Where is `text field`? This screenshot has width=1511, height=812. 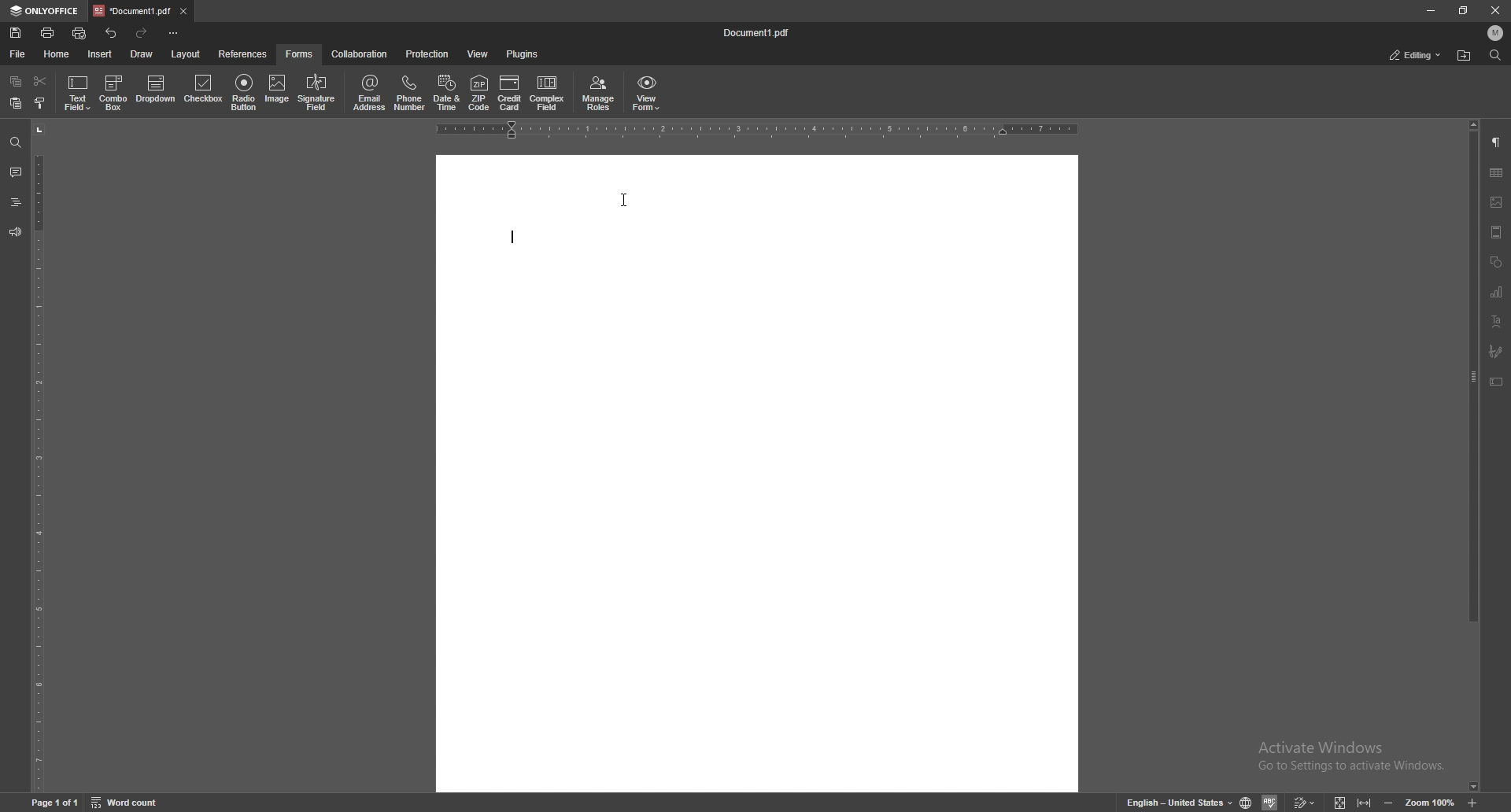
text field is located at coordinates (79, 92).